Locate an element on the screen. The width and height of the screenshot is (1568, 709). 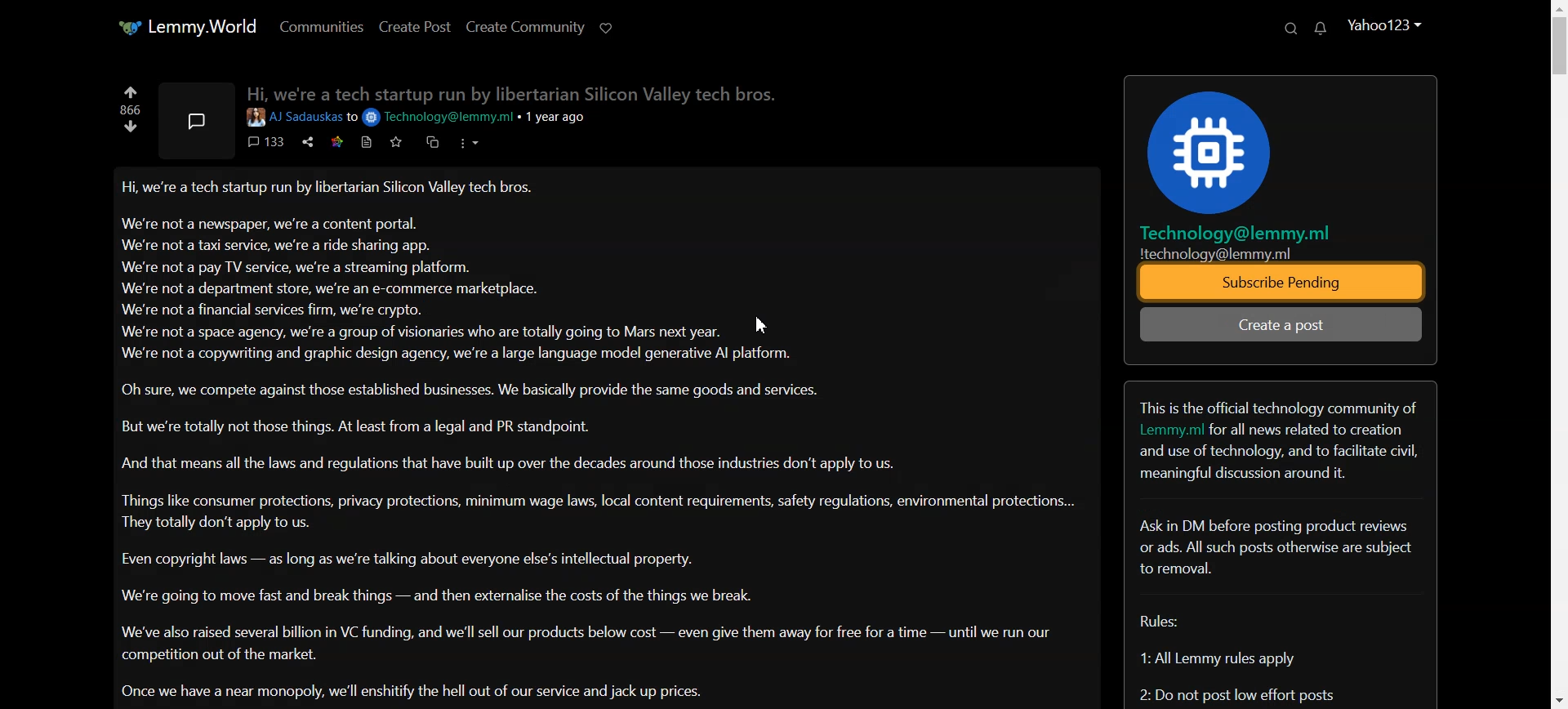
comments is located at coordinates (265, 142).